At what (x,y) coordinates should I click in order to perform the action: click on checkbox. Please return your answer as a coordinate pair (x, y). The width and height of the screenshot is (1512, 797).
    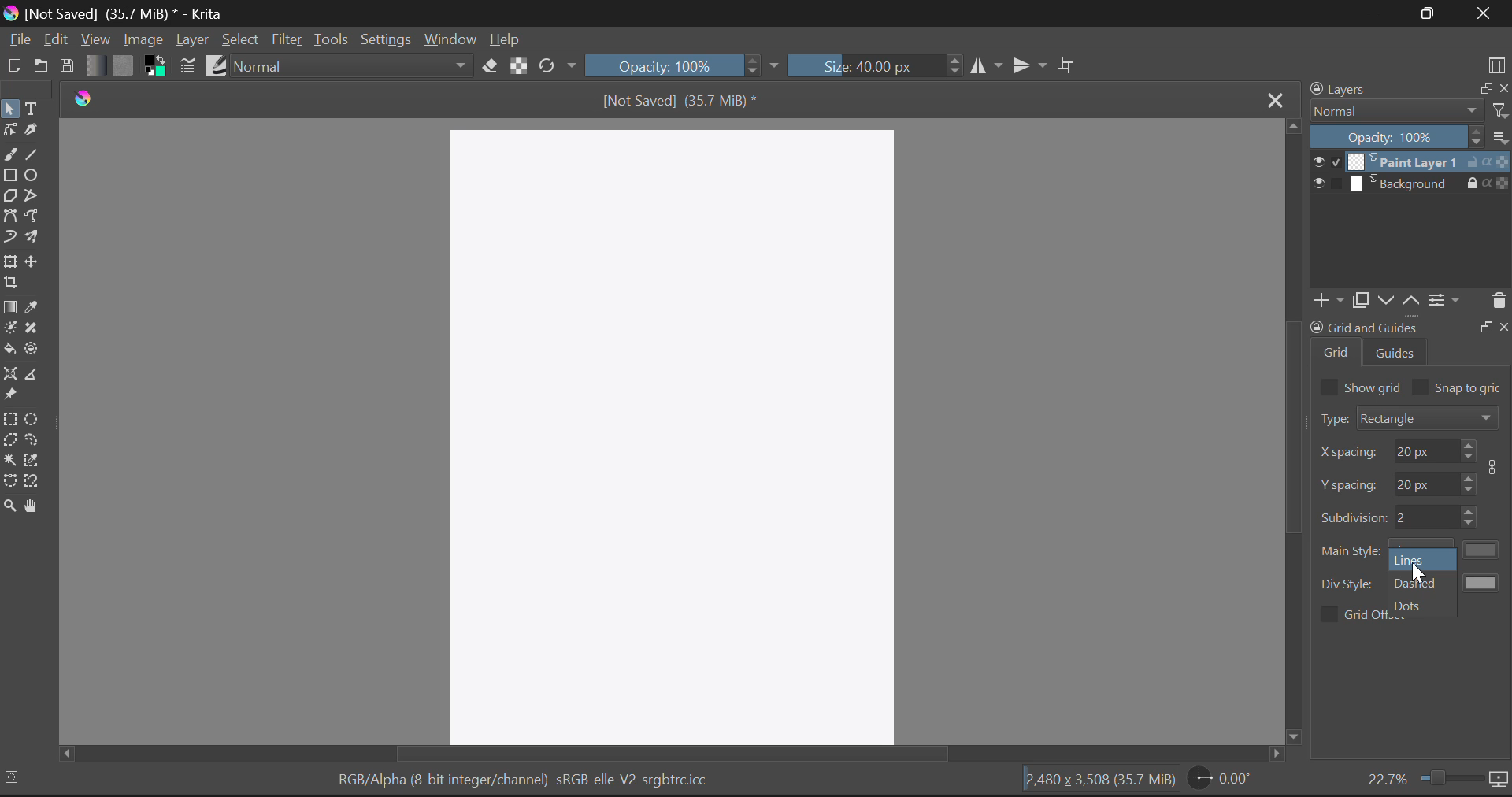
    Looking at the image, I should click on (1328, 614).